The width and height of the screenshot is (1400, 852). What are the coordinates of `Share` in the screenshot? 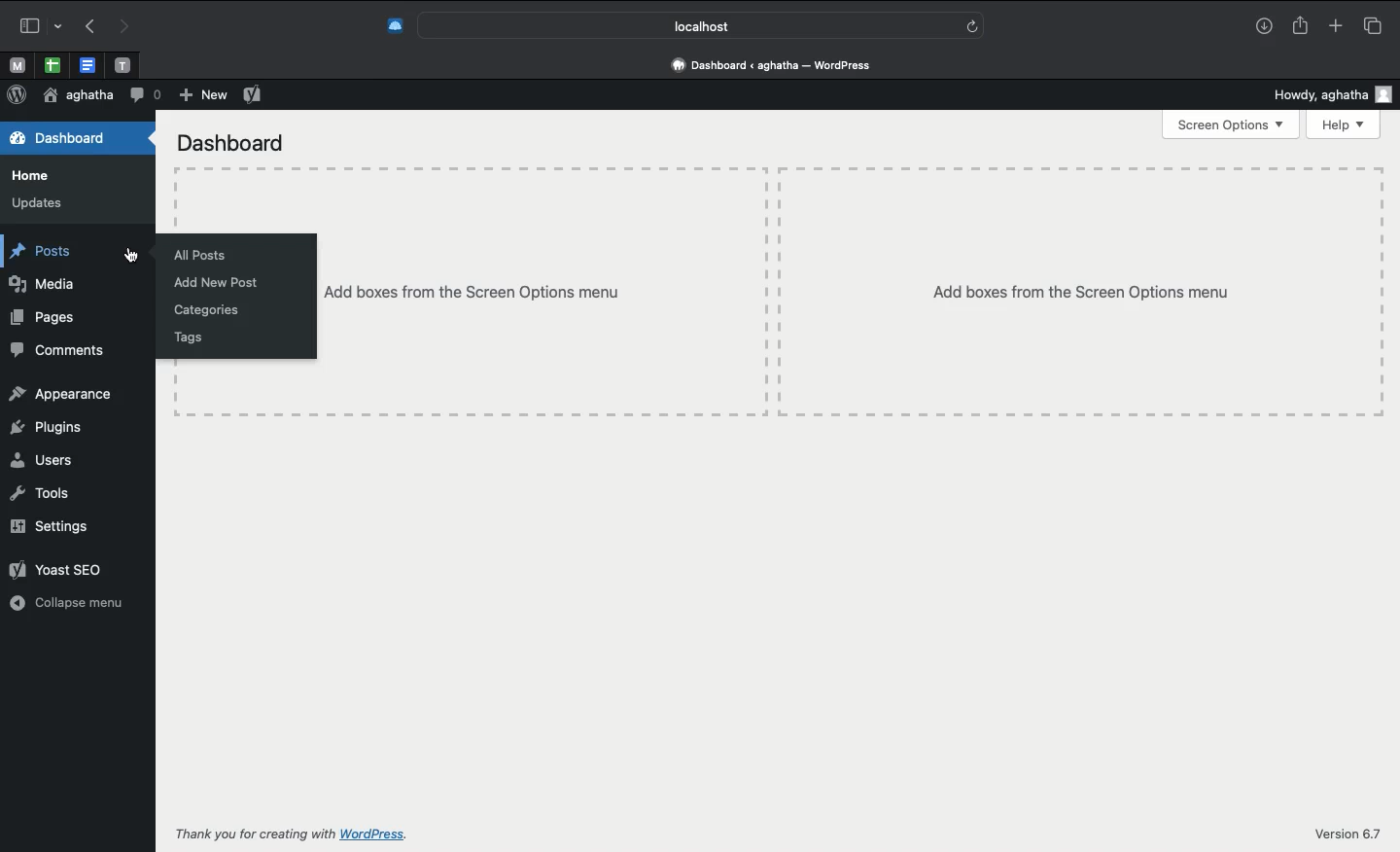 It's located at (1303, 26).